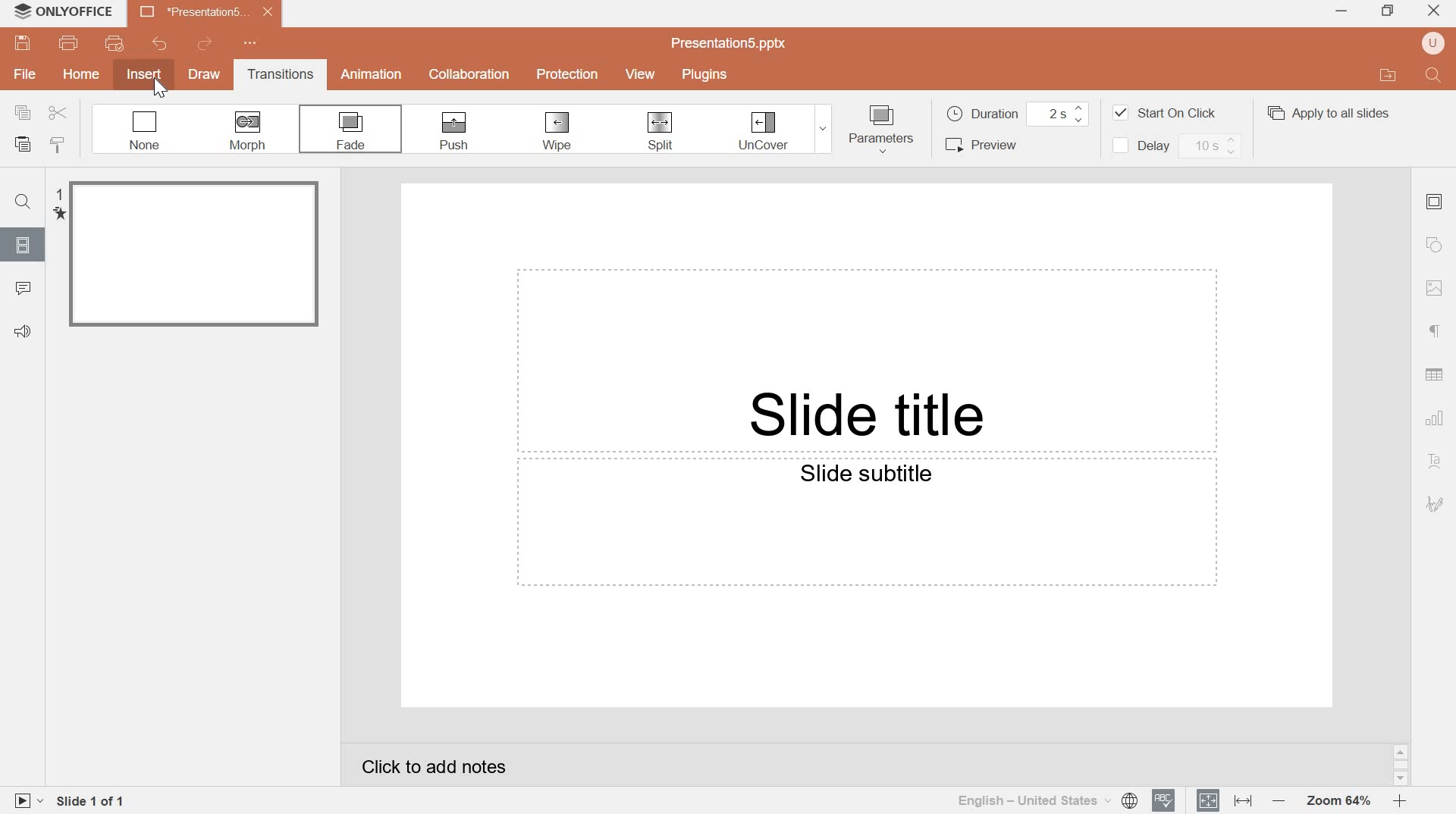 This screenshot has height=814, width=1456. Describe the element at coordinates (21, 44) in the screenshot. I see `Save` at that location.